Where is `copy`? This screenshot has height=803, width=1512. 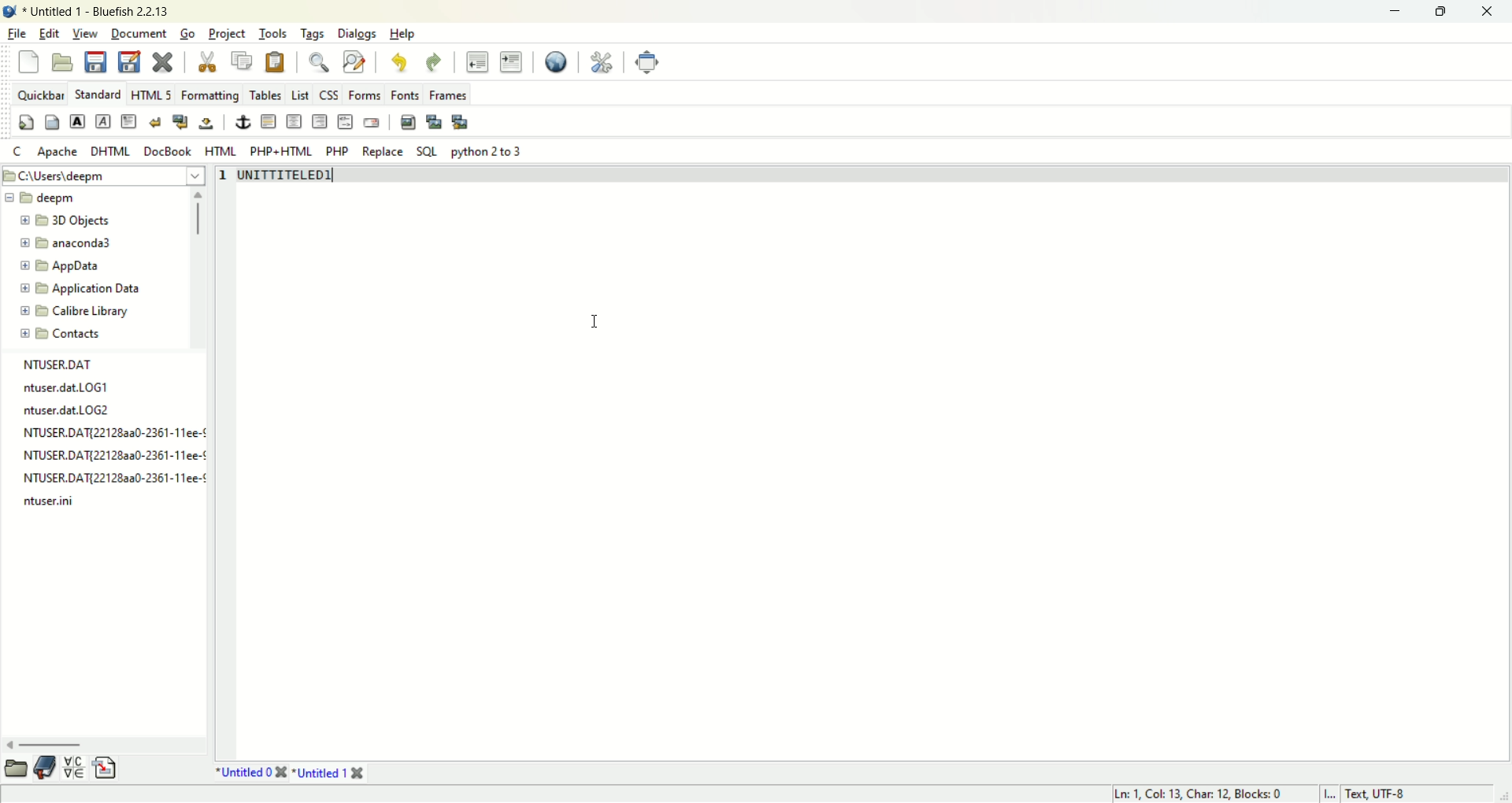 copy is located at coordinates (240, 60).